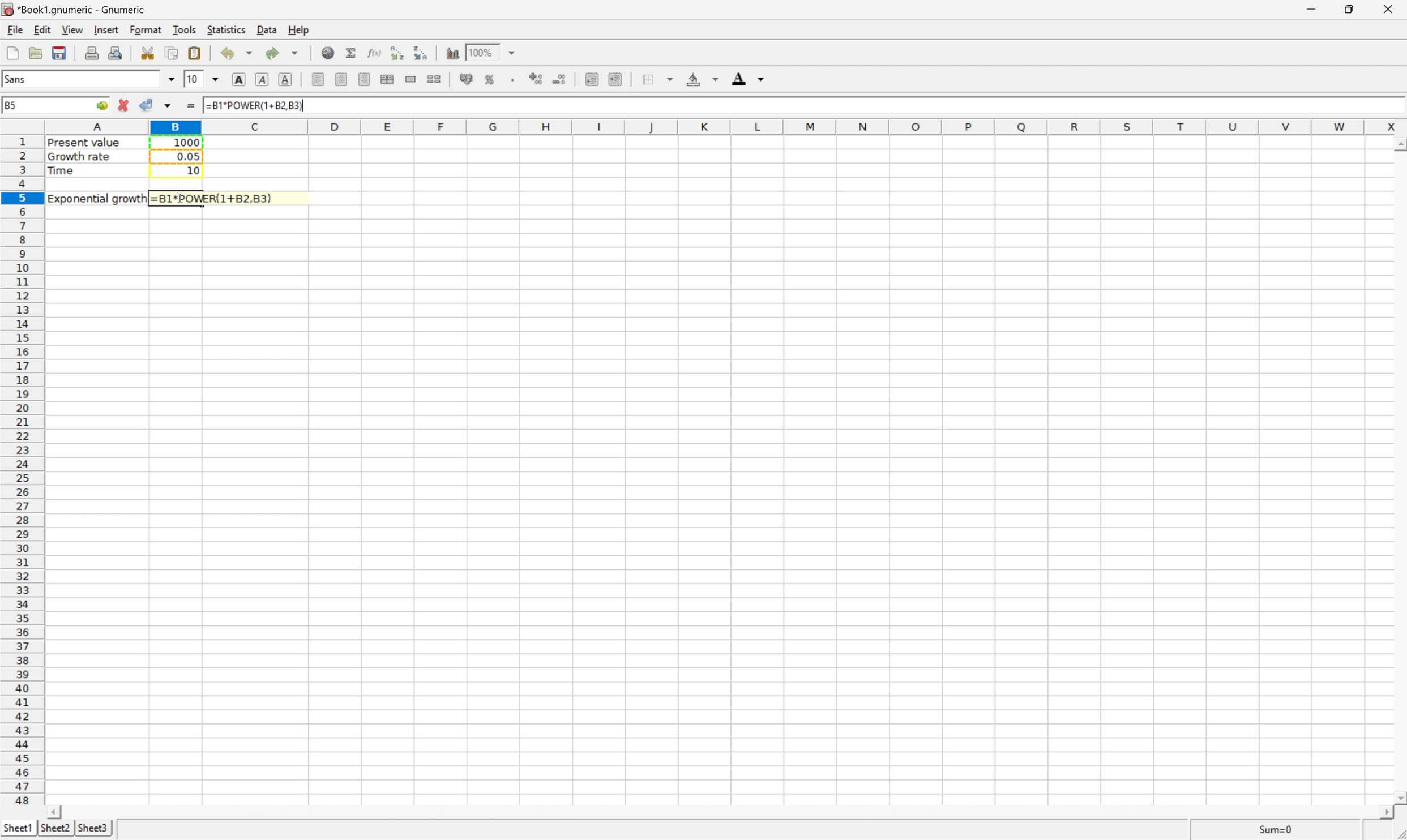 The width and height of the screenshot is (1407, 840). What do you see at coordinates (1353, 8) in the screenshot?
I see `Restore Down` at bounding box center [1353, 8].